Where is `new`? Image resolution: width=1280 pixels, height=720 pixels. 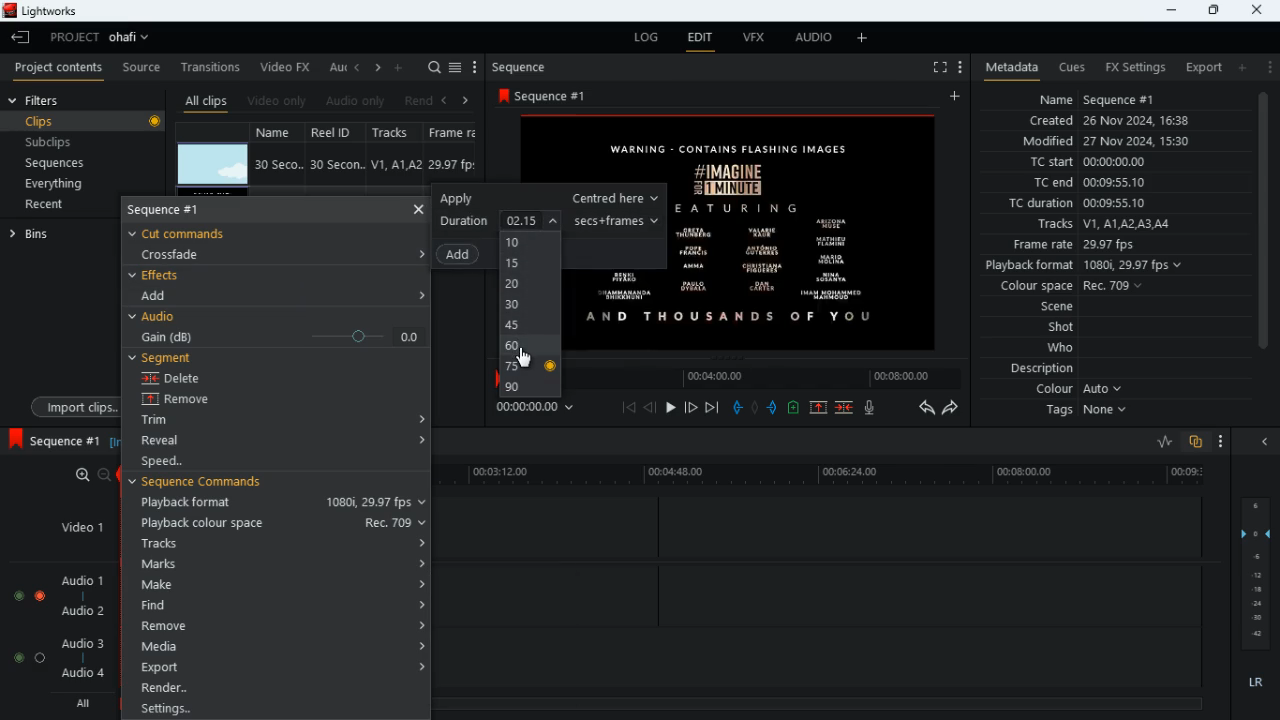 new is located at coordinates (796, 410).